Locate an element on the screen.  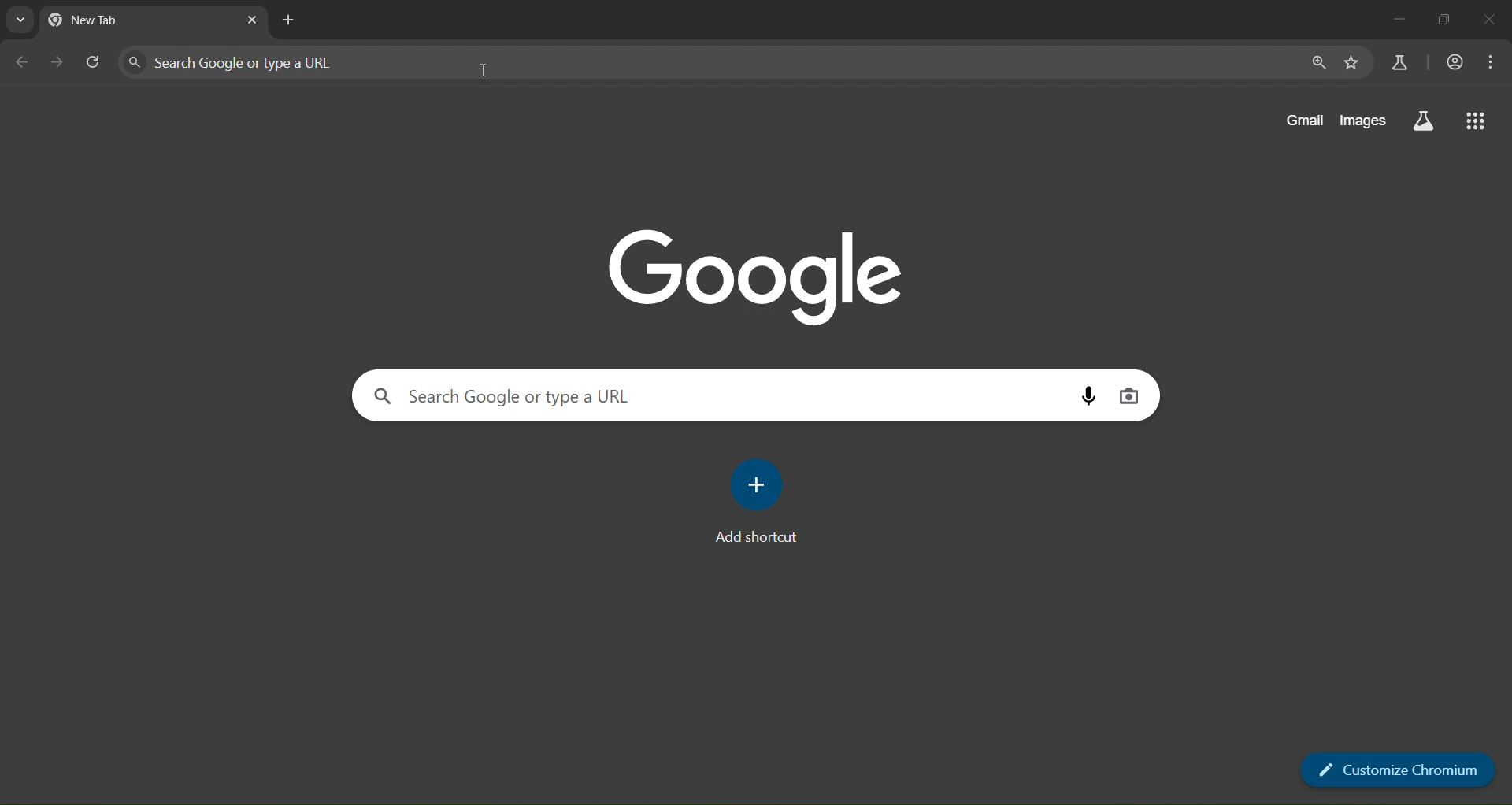
new tab is located at coordinates (289, 19).